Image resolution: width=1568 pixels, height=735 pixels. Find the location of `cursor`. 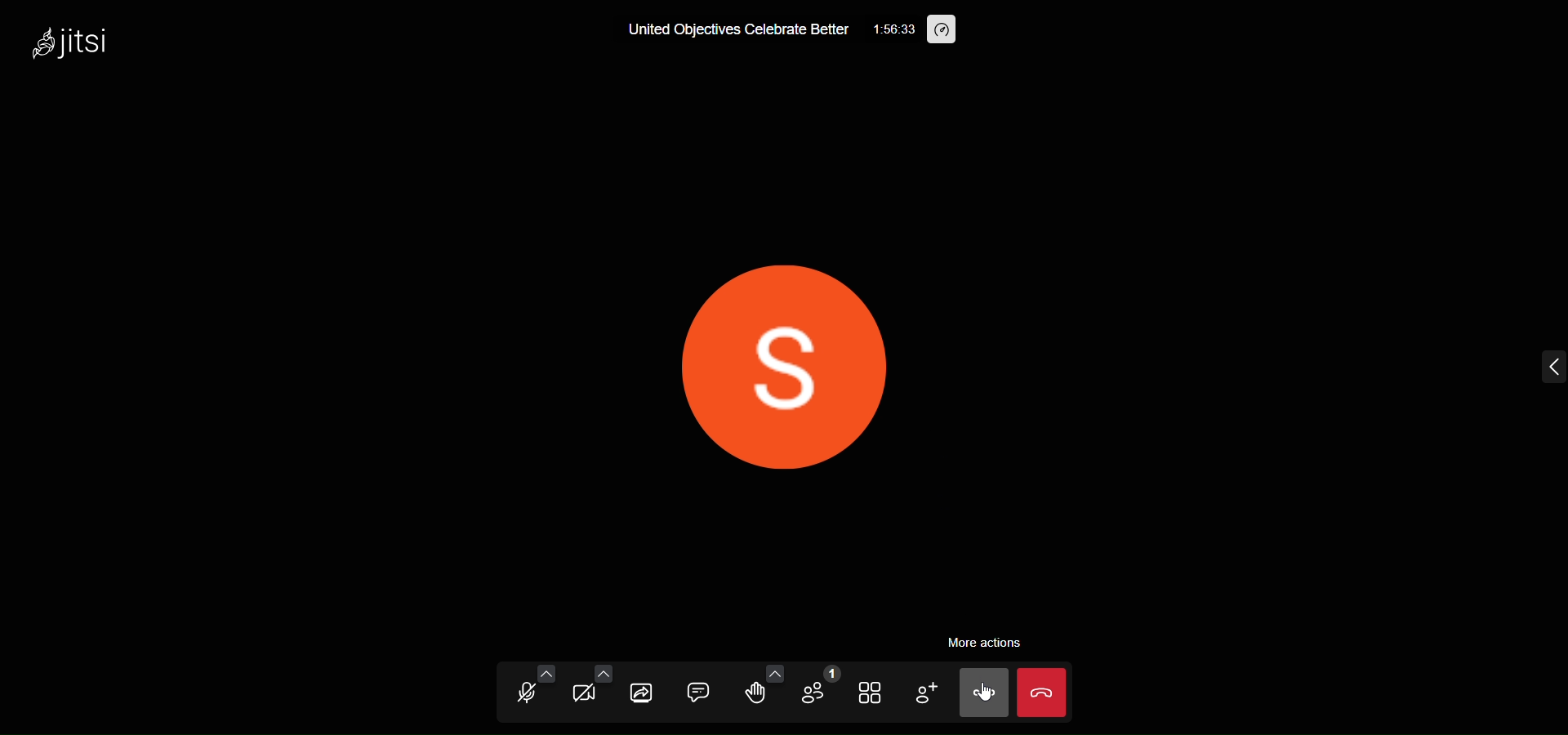

cursor is located at coordinates (987, 690).